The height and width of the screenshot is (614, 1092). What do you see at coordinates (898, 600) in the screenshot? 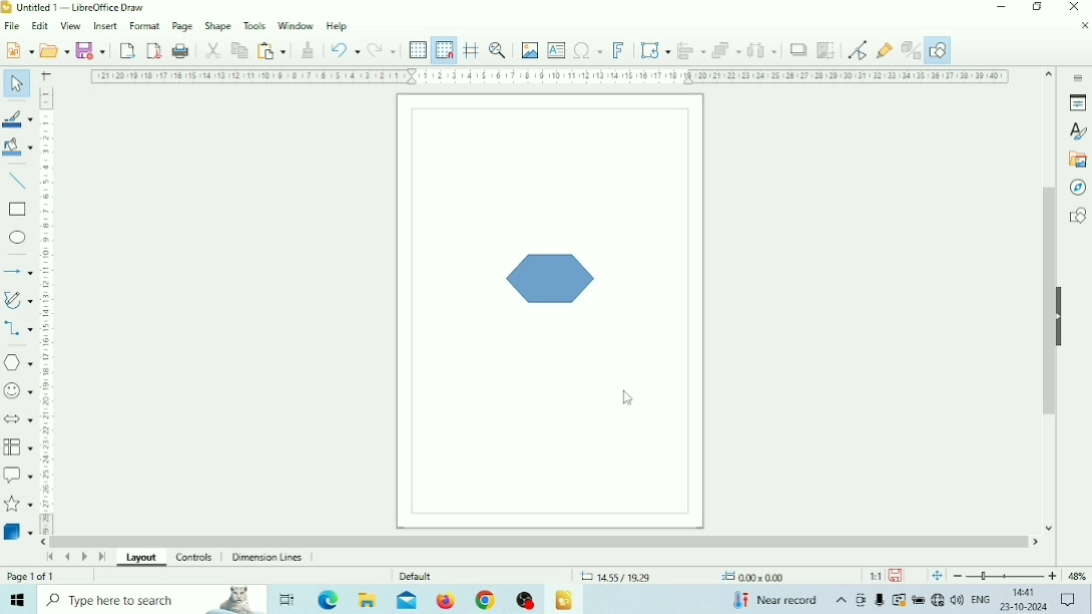
I see `Warning` at bounding box center [898, 600].